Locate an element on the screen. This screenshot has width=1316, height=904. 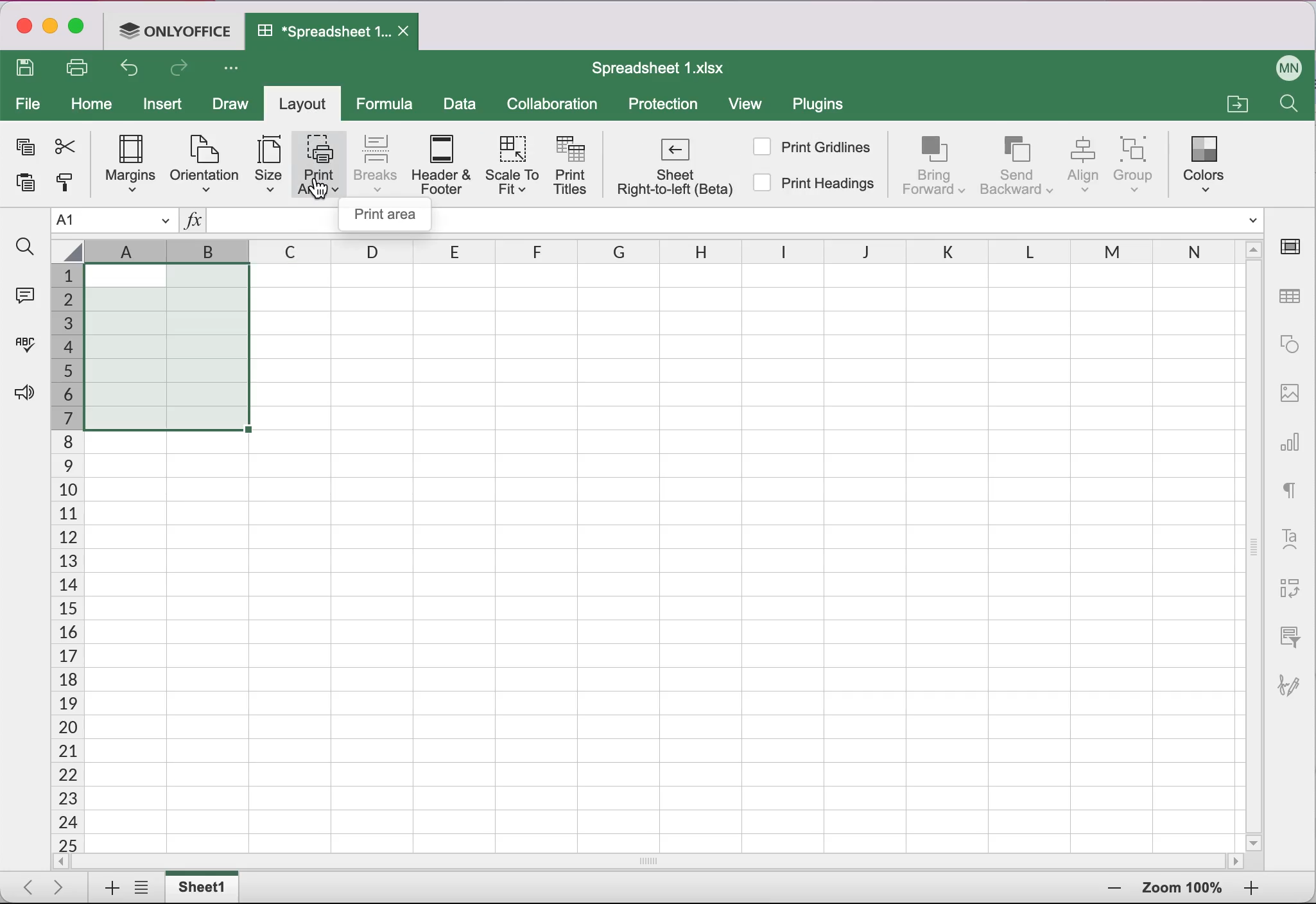
paste is located at coordinates (21, 187).